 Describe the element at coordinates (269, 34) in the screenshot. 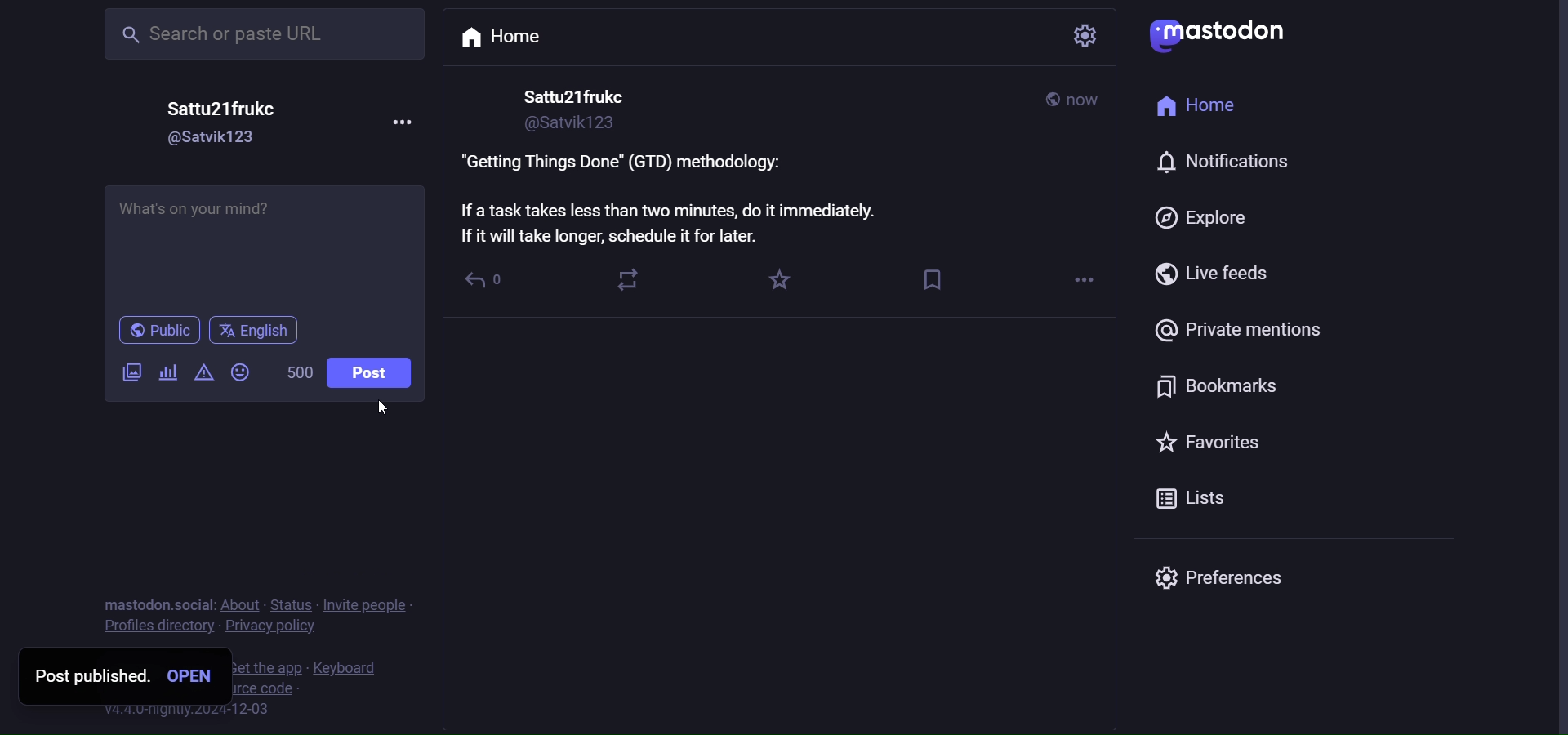

I see `search` at that location.